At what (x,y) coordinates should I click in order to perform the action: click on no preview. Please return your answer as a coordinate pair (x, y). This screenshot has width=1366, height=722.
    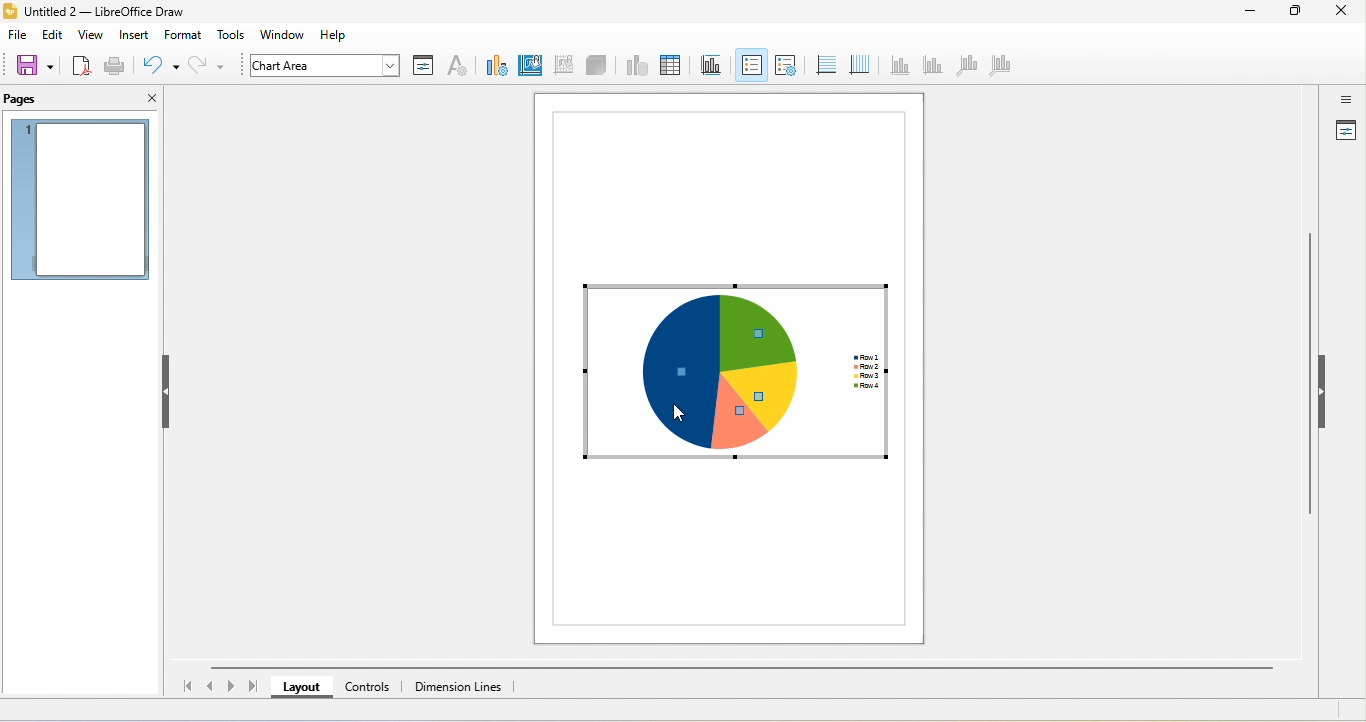
    Looking at the image, I should click on (81, 201).